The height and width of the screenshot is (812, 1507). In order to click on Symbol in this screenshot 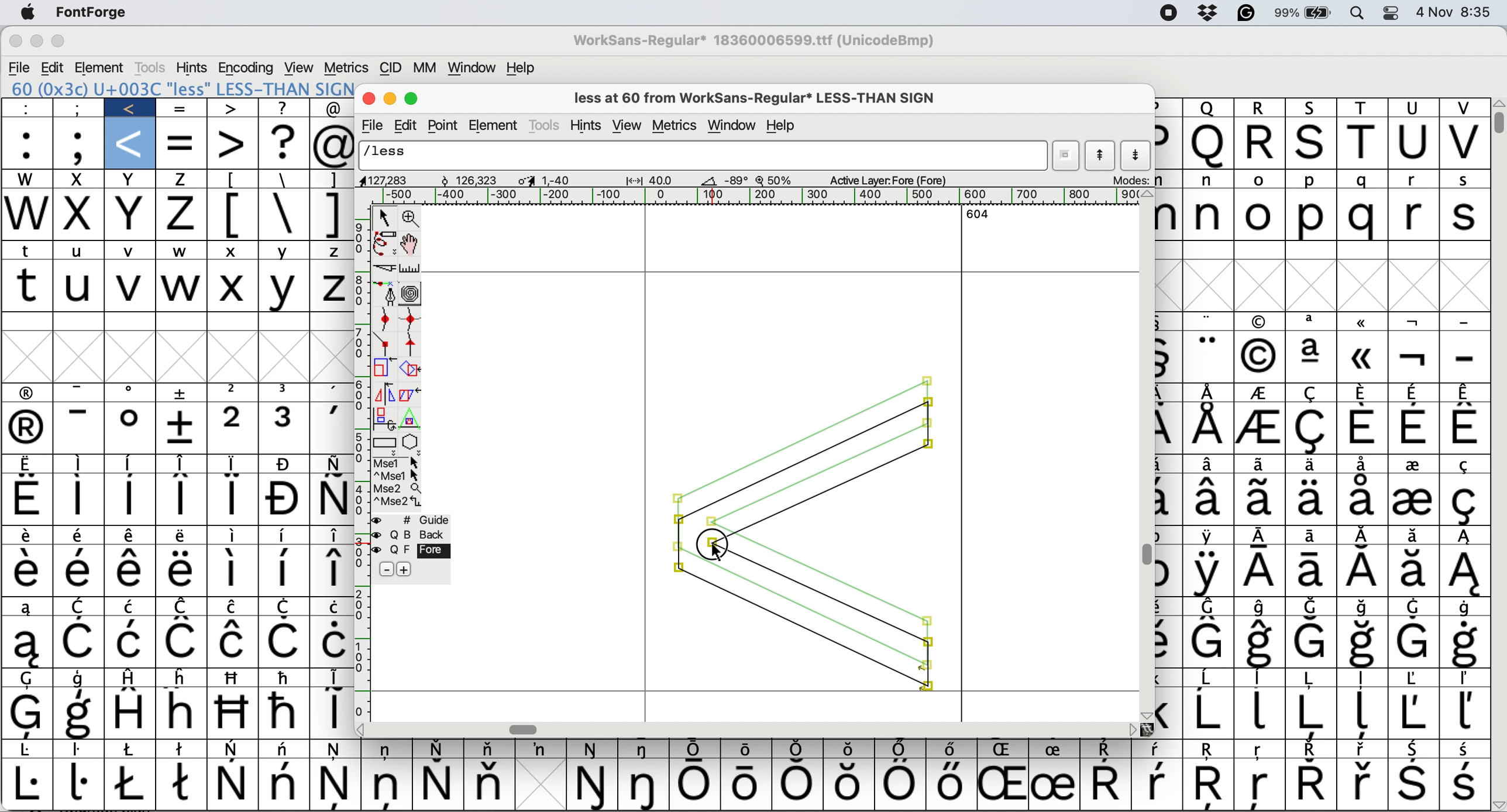, I will do `click(1167, 321)`.